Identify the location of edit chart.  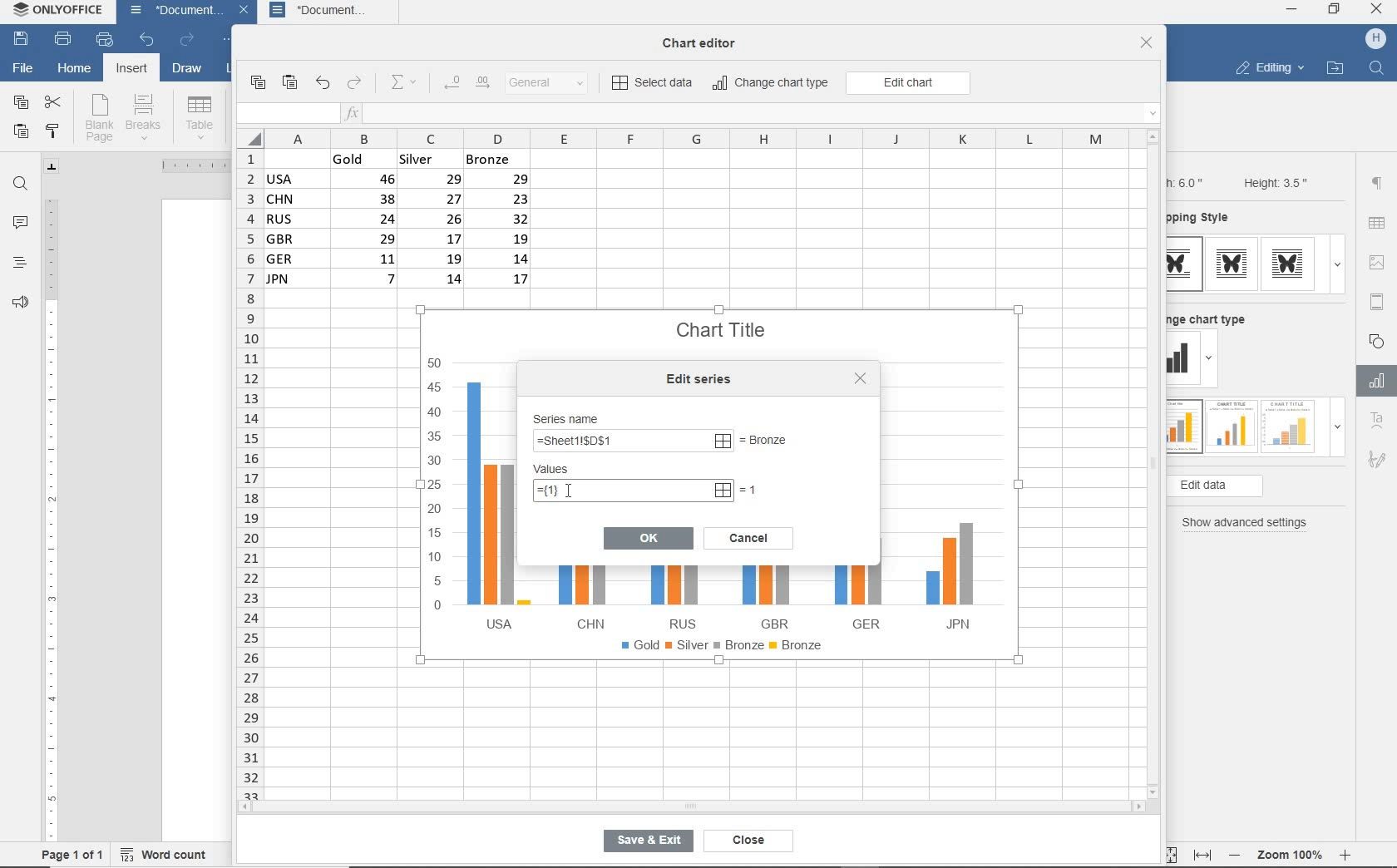
(908, 83).